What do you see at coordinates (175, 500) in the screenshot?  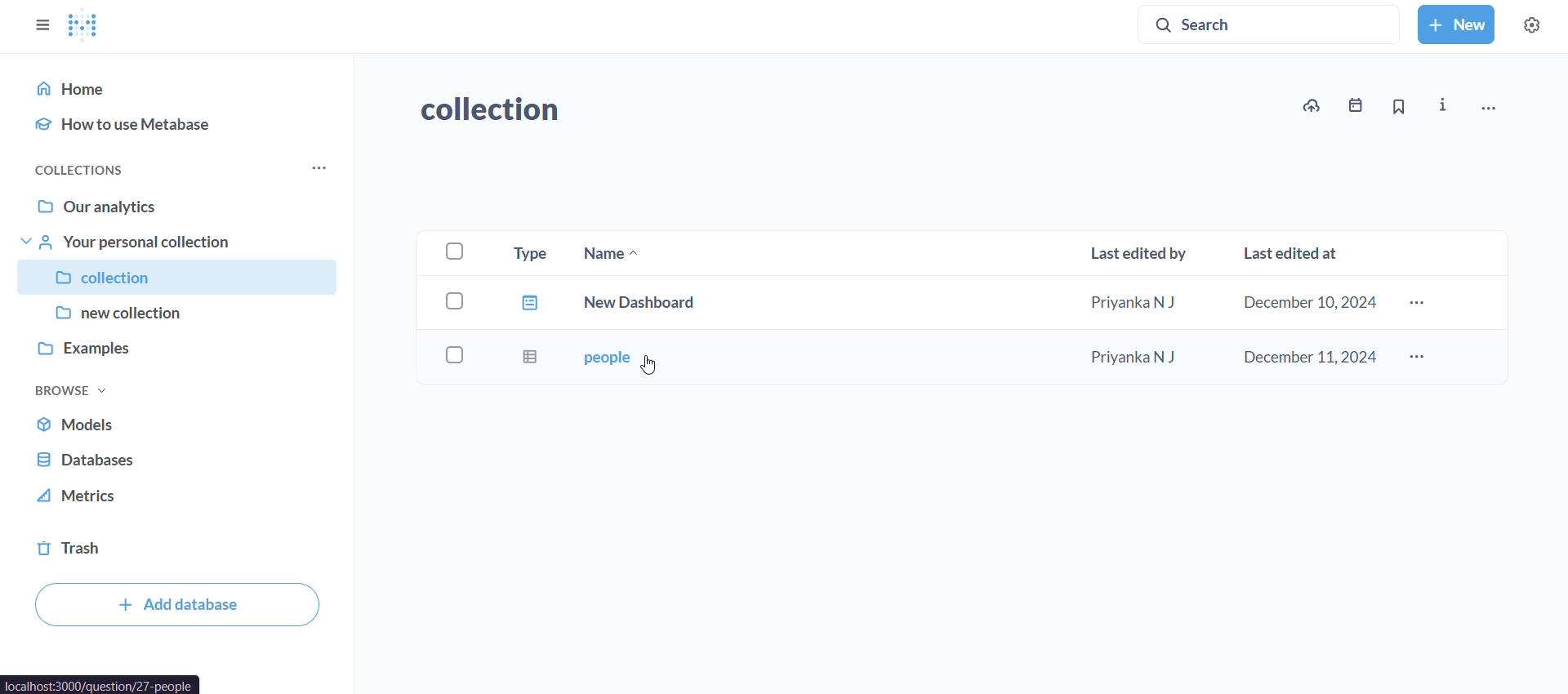 I see `metrics` at bounding box center [175, 500].